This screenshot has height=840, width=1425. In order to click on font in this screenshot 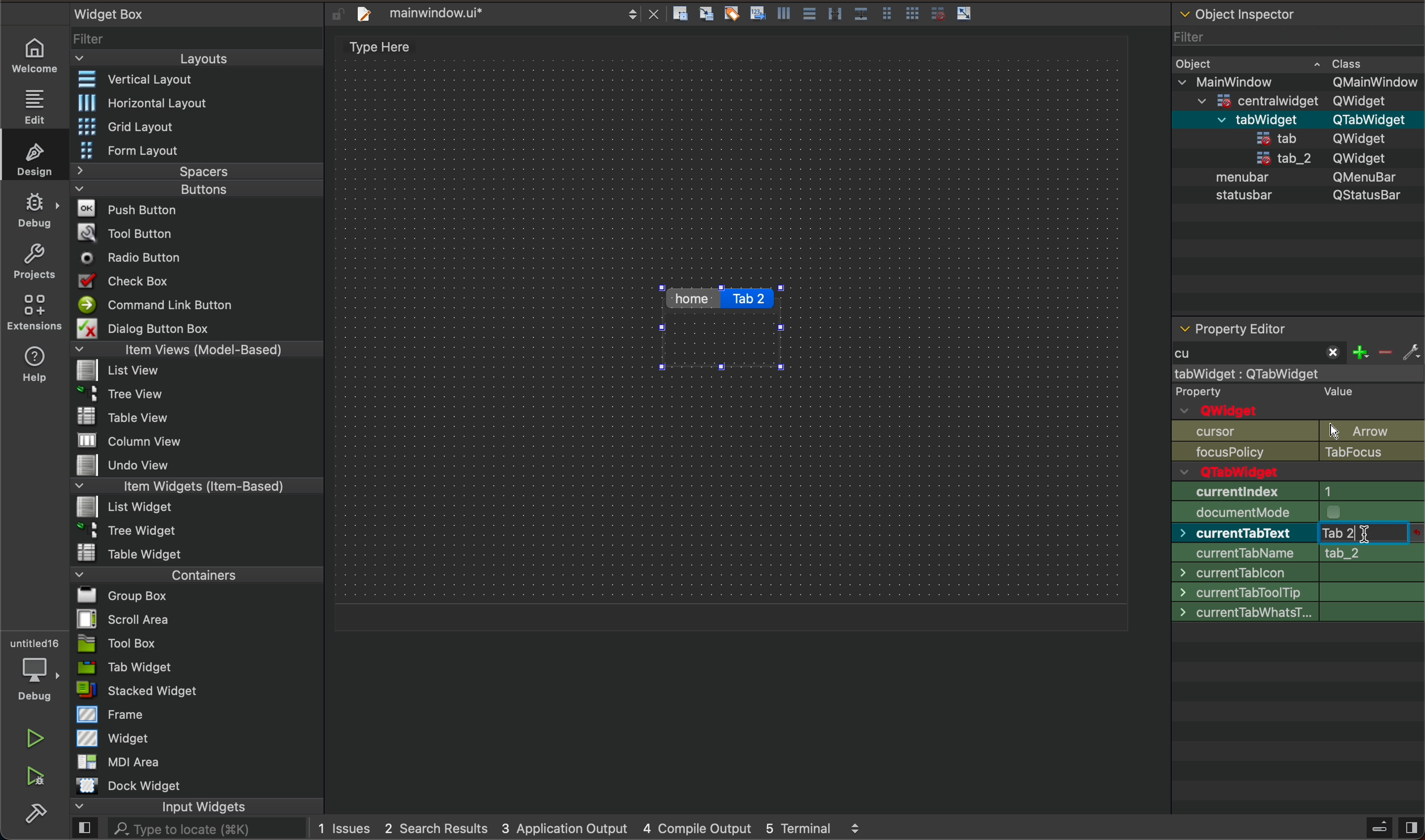, I will do `click(1296, 630)`.